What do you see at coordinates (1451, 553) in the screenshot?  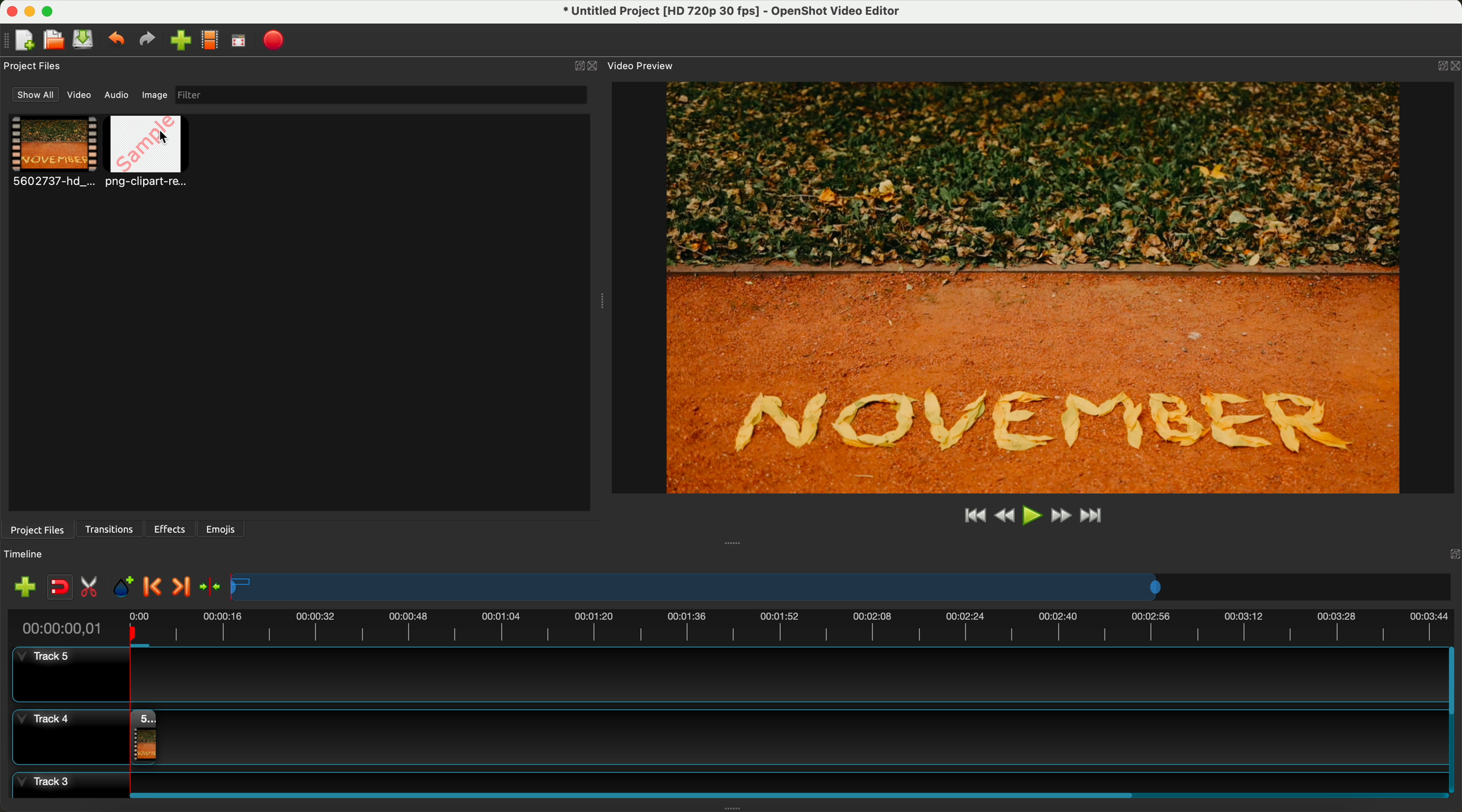 I see `` at bounding box center [1451, 553].